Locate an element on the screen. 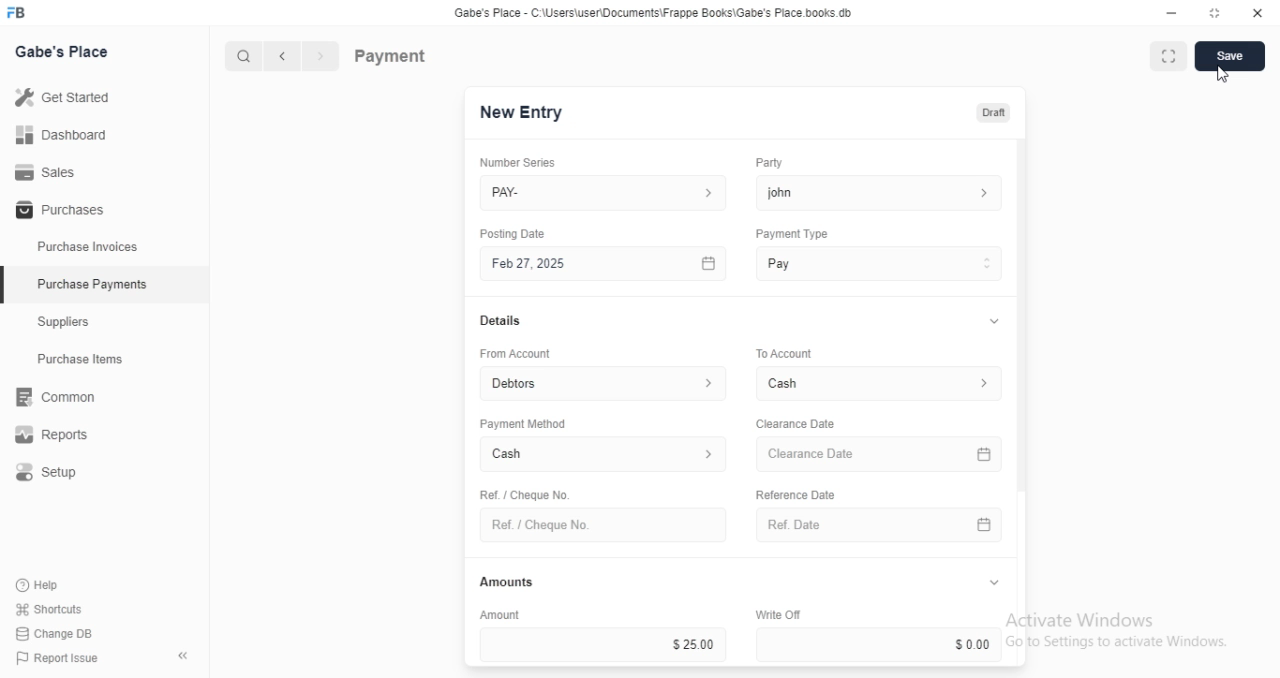  search is located at coordinates (245, 57).